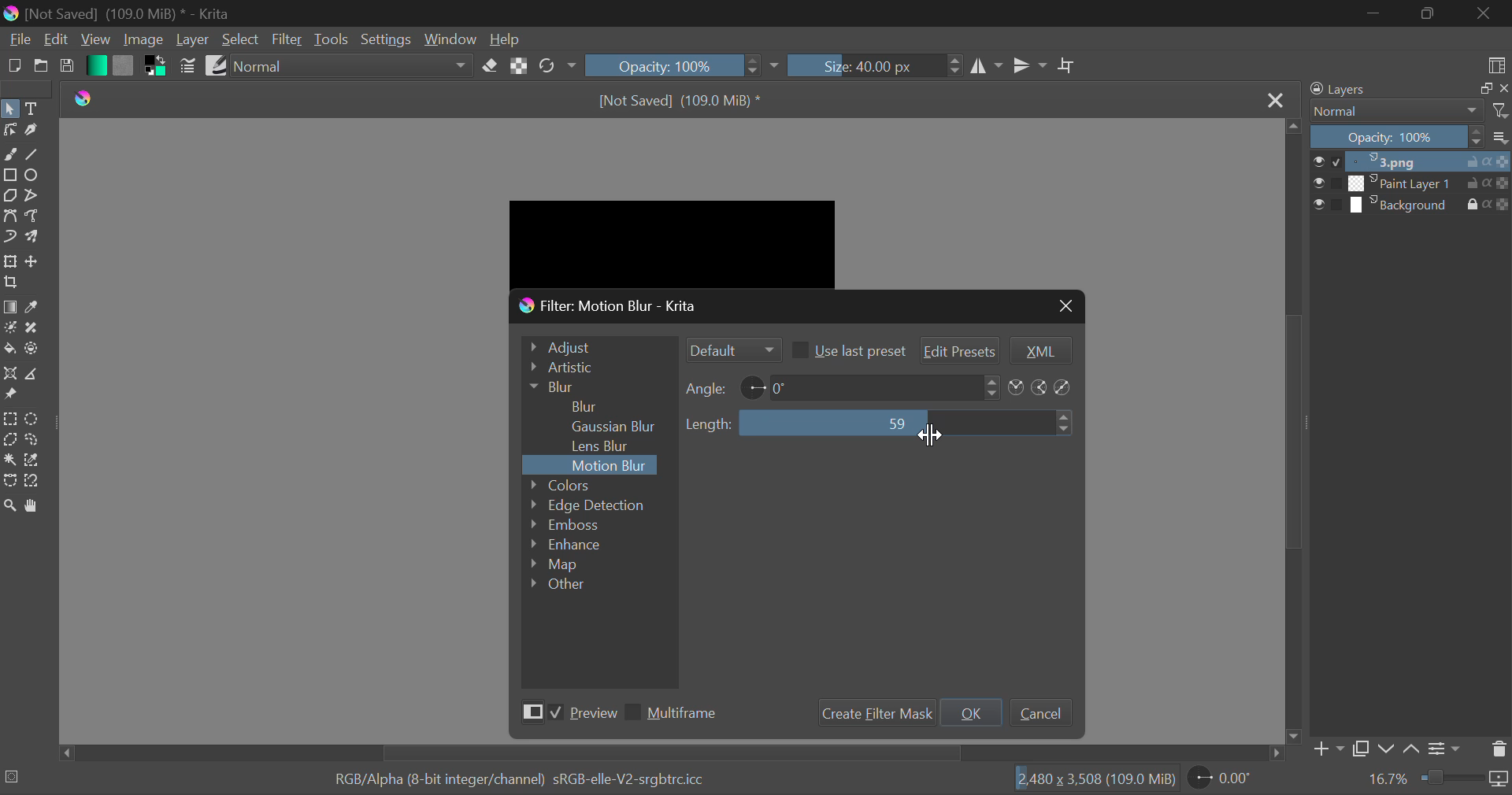  I want to click on Similar Color Selection Tool, so click(38, 461).